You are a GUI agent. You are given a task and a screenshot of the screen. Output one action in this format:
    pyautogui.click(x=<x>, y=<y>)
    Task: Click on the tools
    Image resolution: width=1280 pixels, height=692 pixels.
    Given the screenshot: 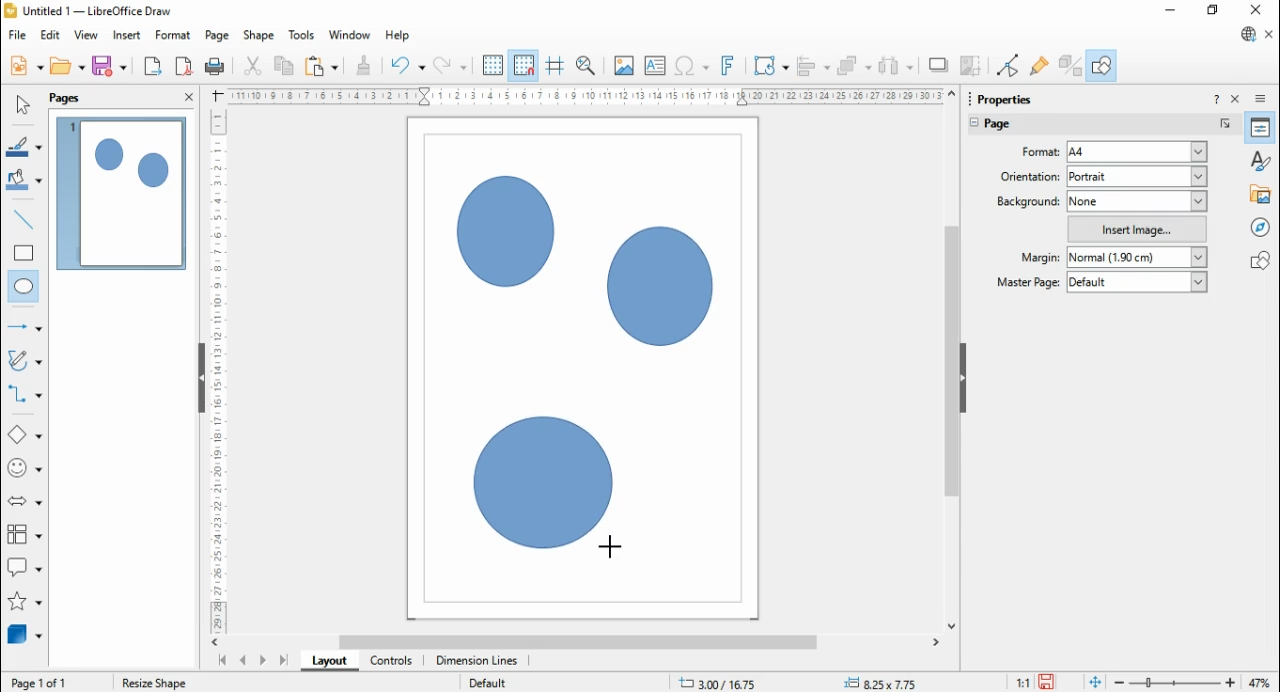 What is the action you would take?
    pyautogui.click(x=303, y=36)
    